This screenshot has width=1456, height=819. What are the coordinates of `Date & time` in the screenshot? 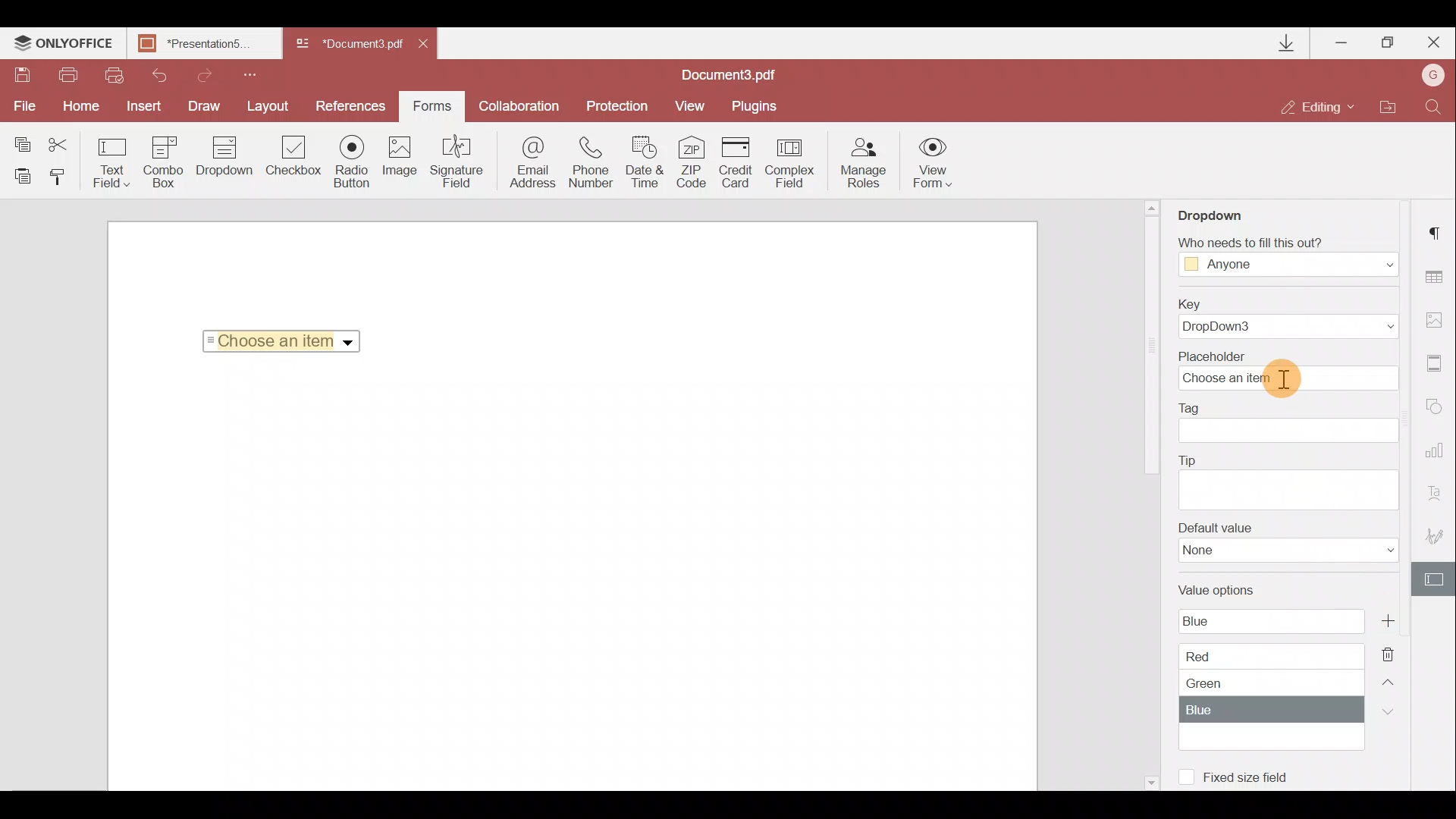 It's located at (648, 162).